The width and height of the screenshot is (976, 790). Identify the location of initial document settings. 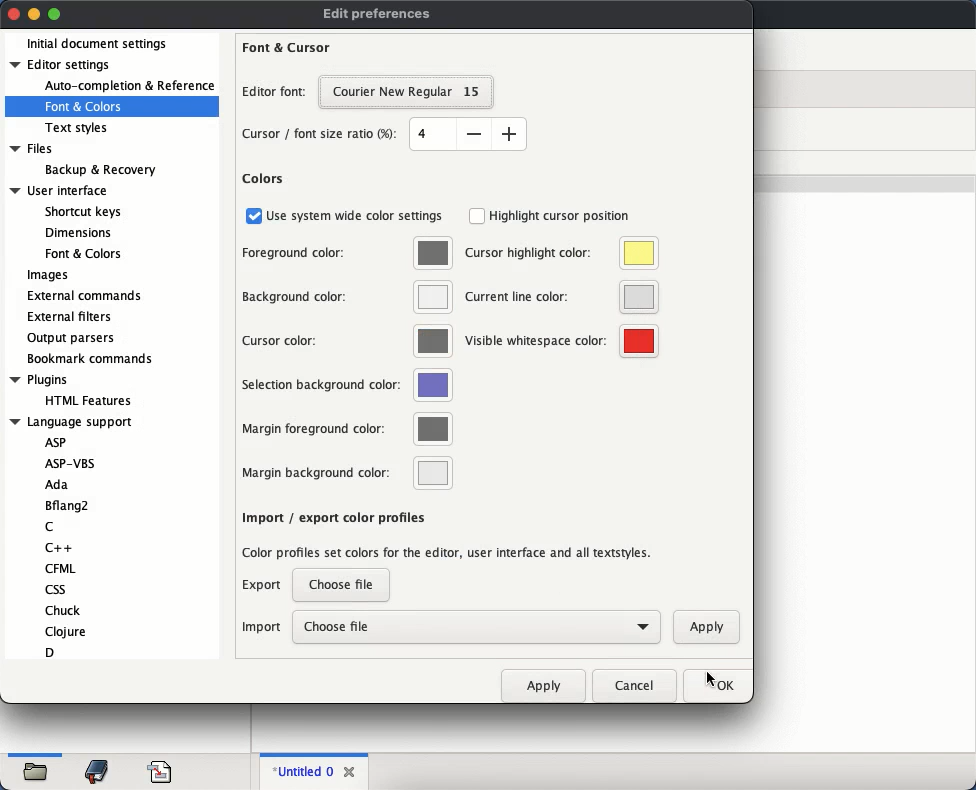
(98, 45).